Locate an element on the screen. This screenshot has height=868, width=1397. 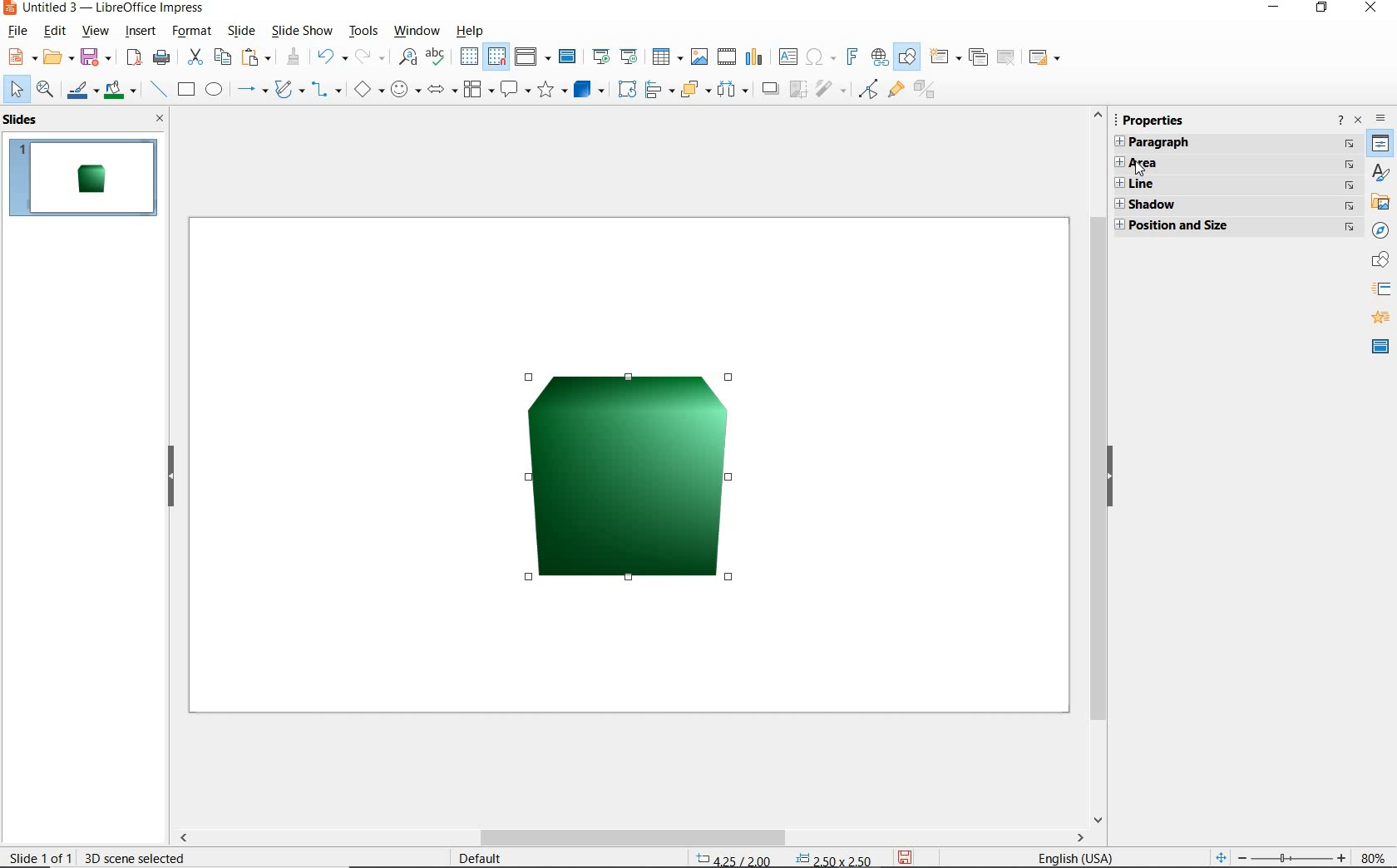
ROTATE is located at coordinates (629, 90).